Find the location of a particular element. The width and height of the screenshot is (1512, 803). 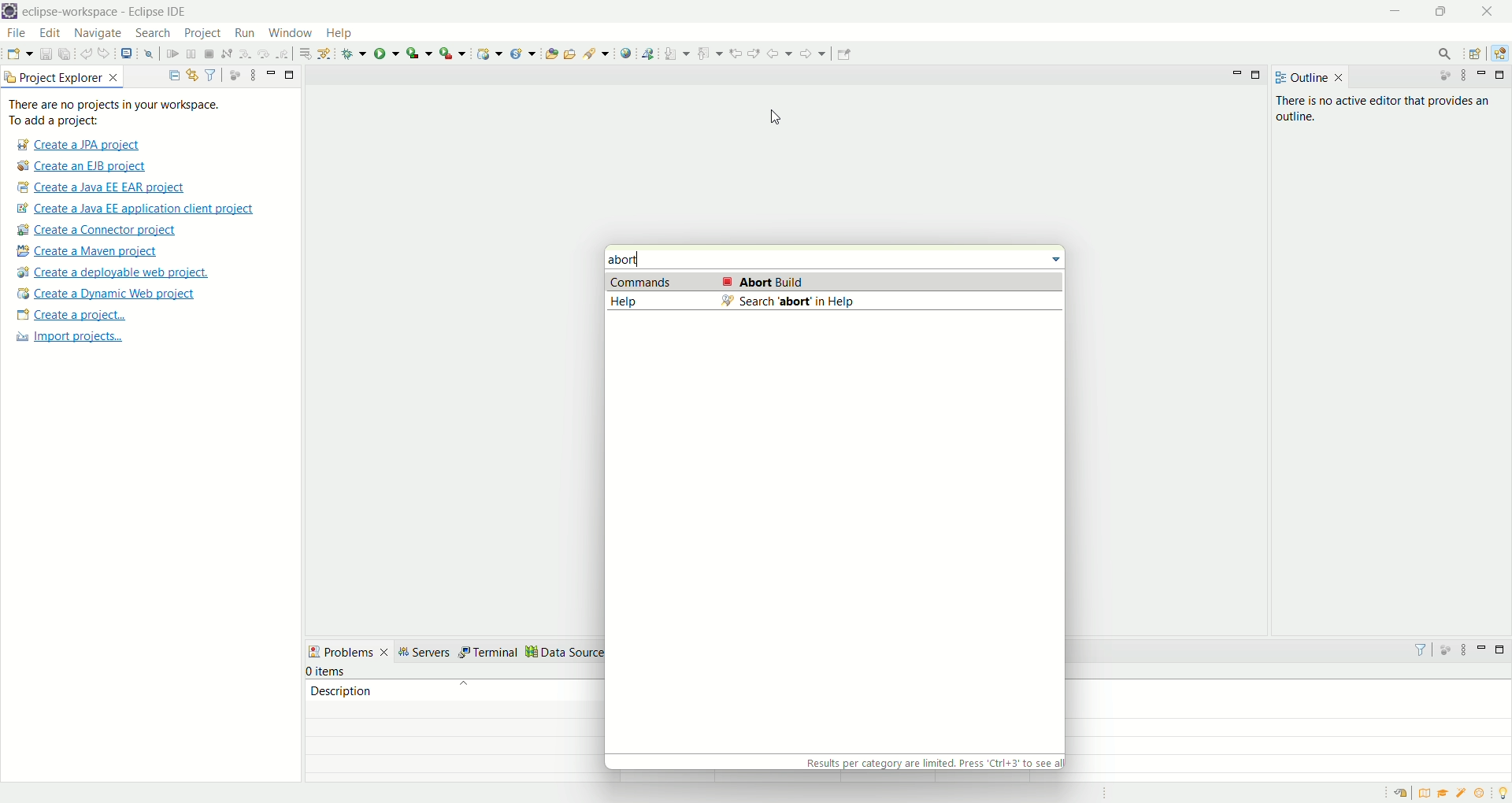

view menu is located at coordinates (254, 76).